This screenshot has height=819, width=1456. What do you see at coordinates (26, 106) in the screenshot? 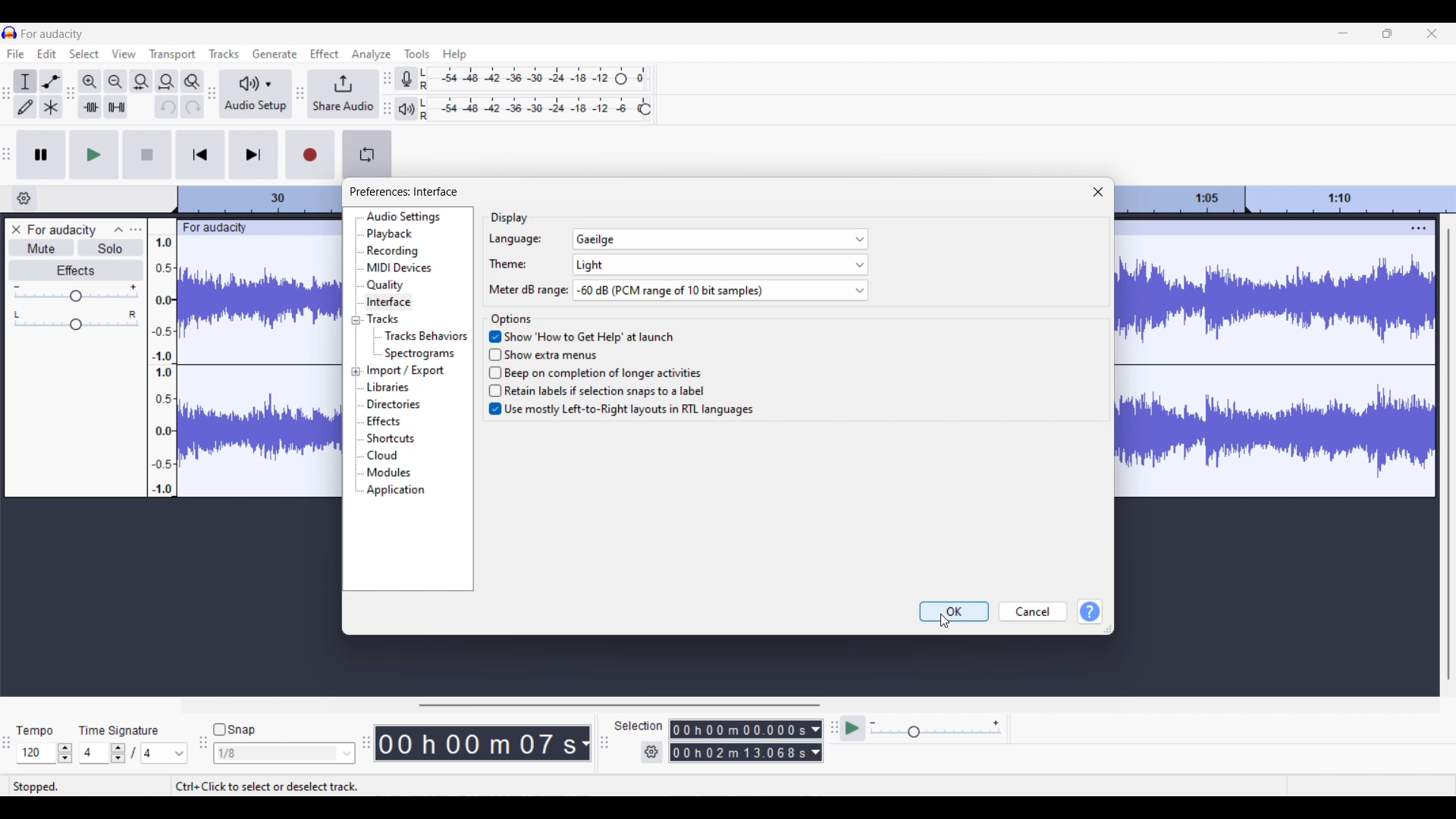
I see `Draw tool` at bounding box center [26, 106].